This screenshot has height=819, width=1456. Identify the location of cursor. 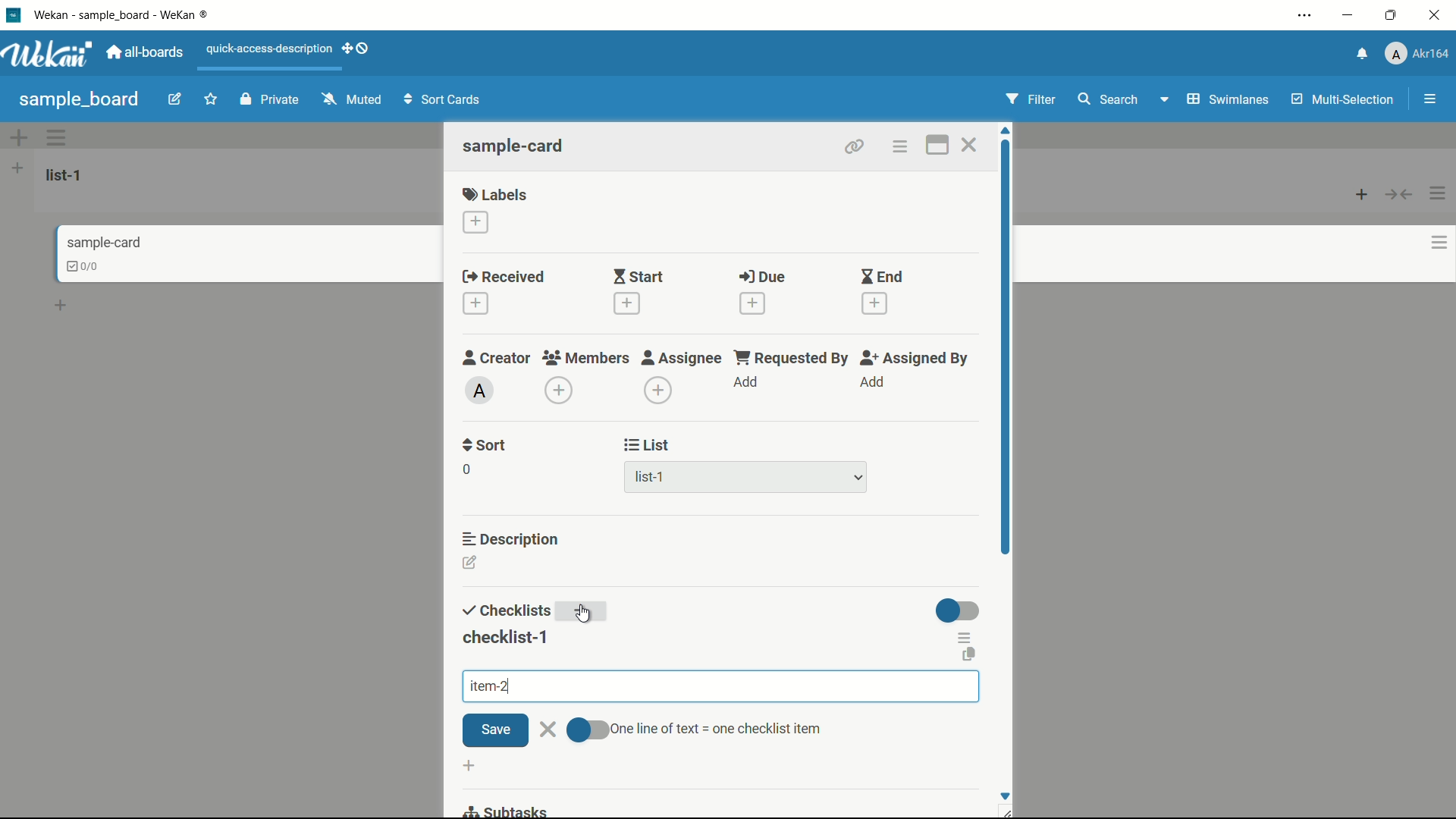
(583, 613).